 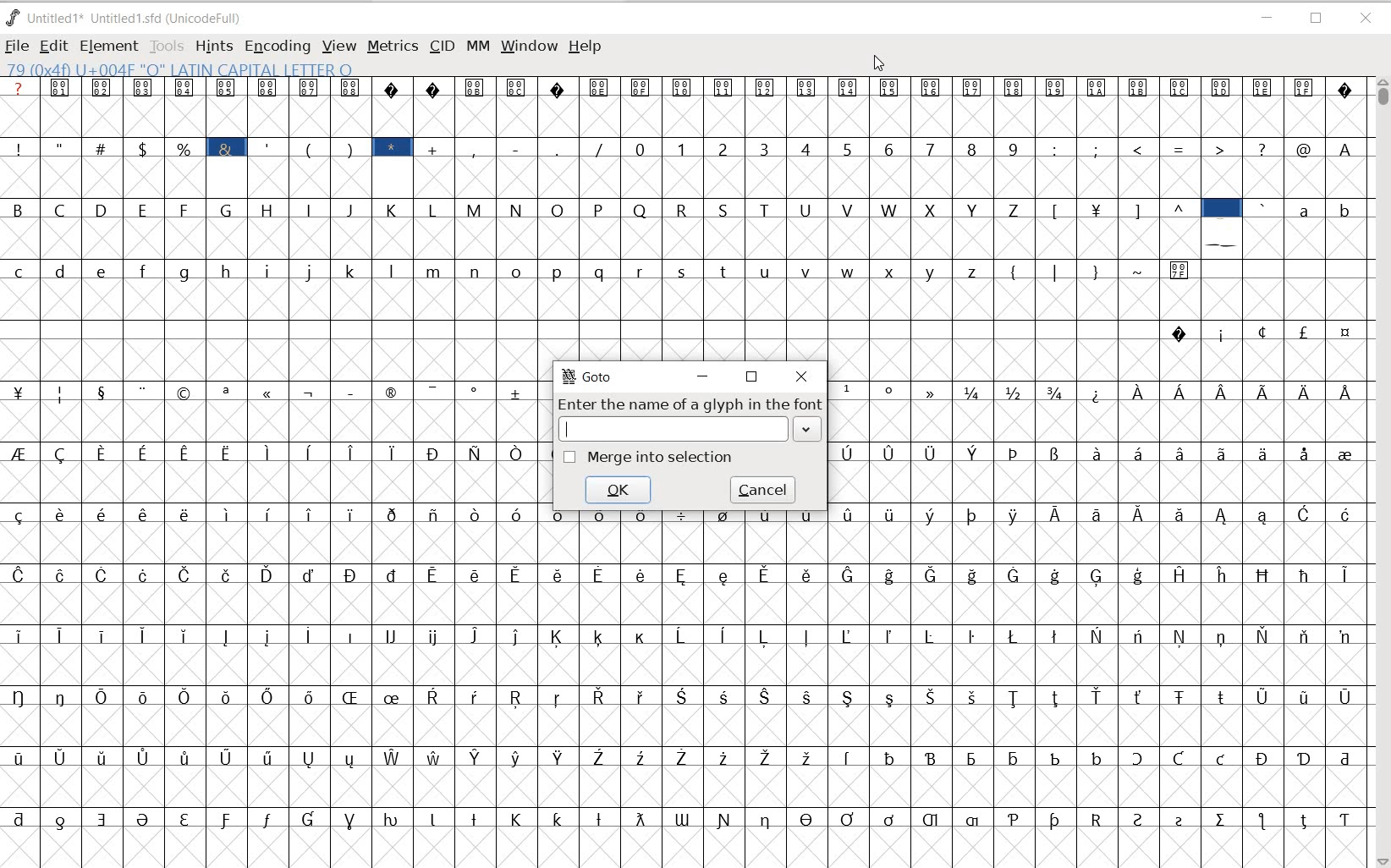 I want to click on ENCODING, so click(x=276, y=47).